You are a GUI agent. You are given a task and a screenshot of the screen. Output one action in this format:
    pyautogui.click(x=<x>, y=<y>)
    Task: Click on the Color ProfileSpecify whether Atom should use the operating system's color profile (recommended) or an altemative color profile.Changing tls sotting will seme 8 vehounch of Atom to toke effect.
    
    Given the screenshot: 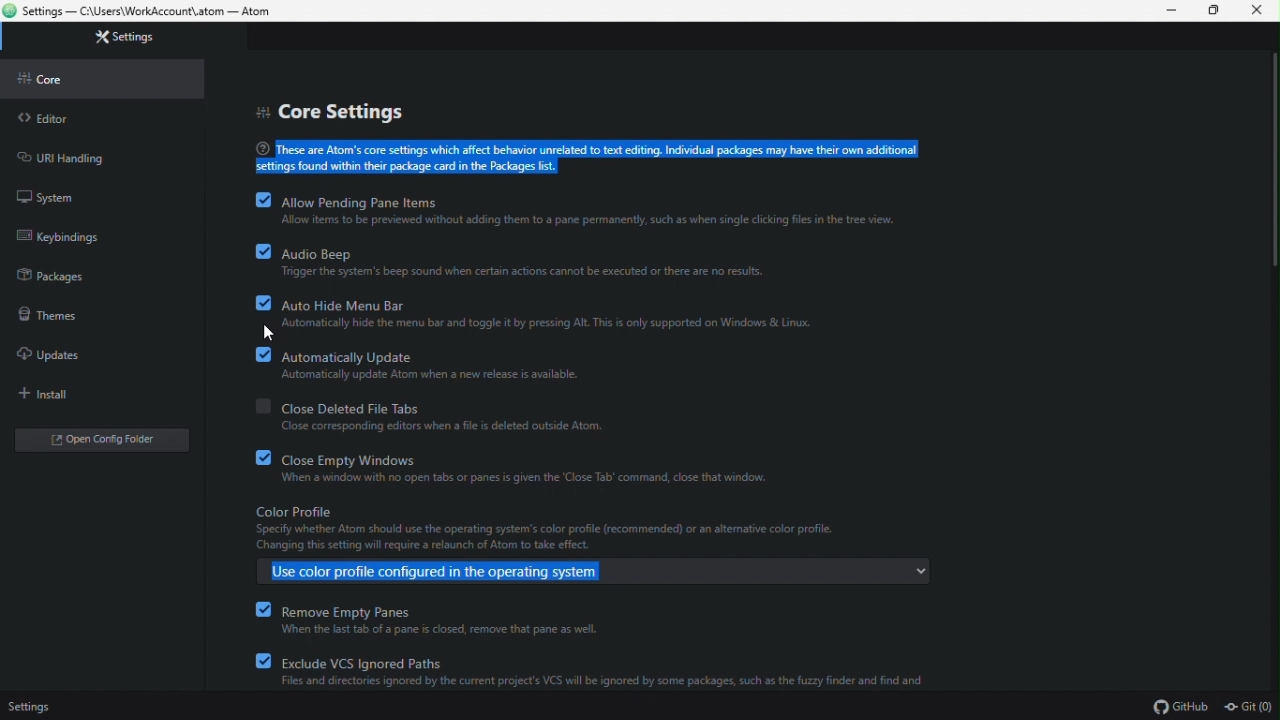 What is the action you would take?
    pyautogui.click(x=555, y=530)
    